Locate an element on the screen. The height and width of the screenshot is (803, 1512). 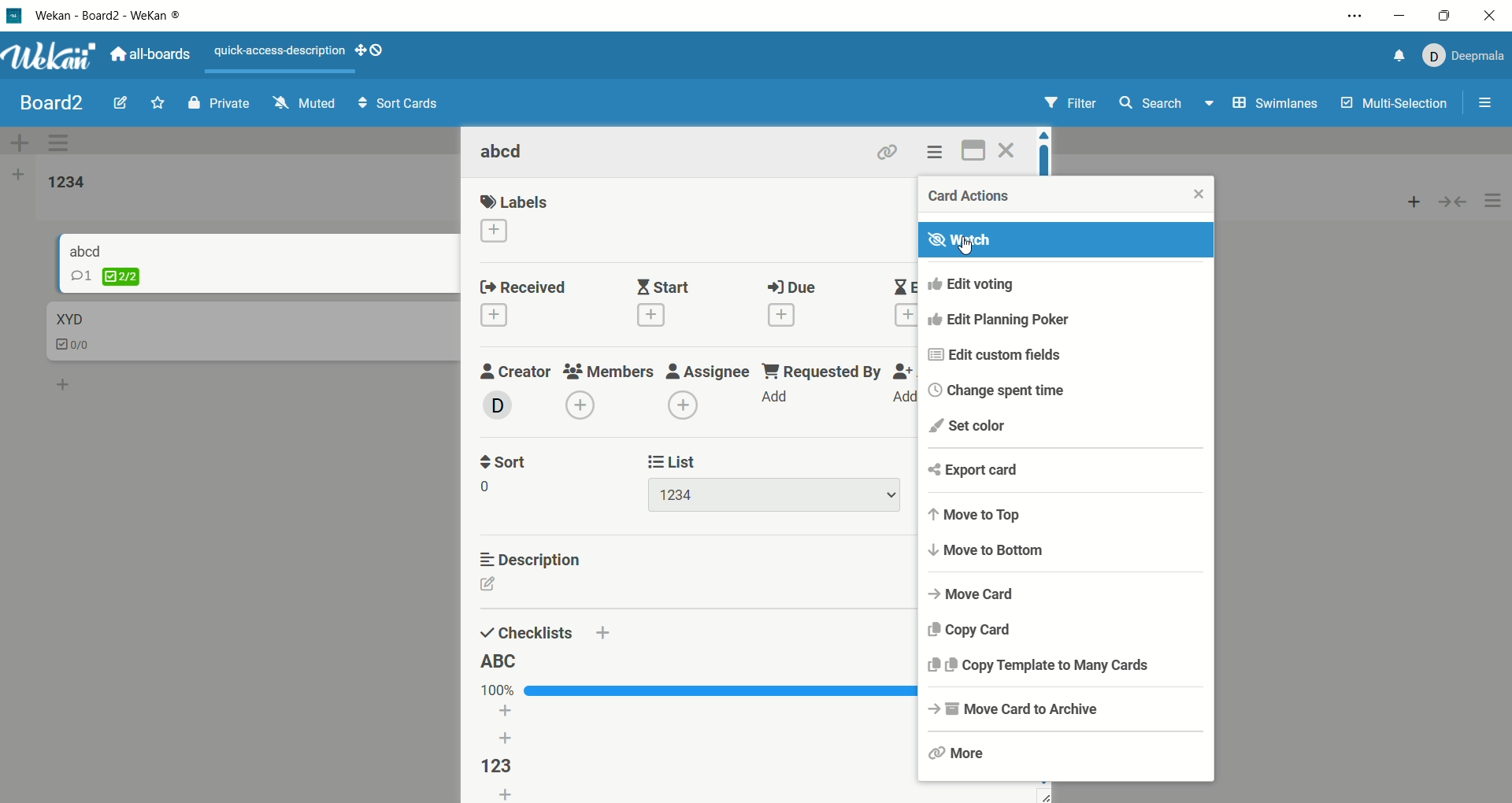
sort cards is located at coordinates (395, 105).